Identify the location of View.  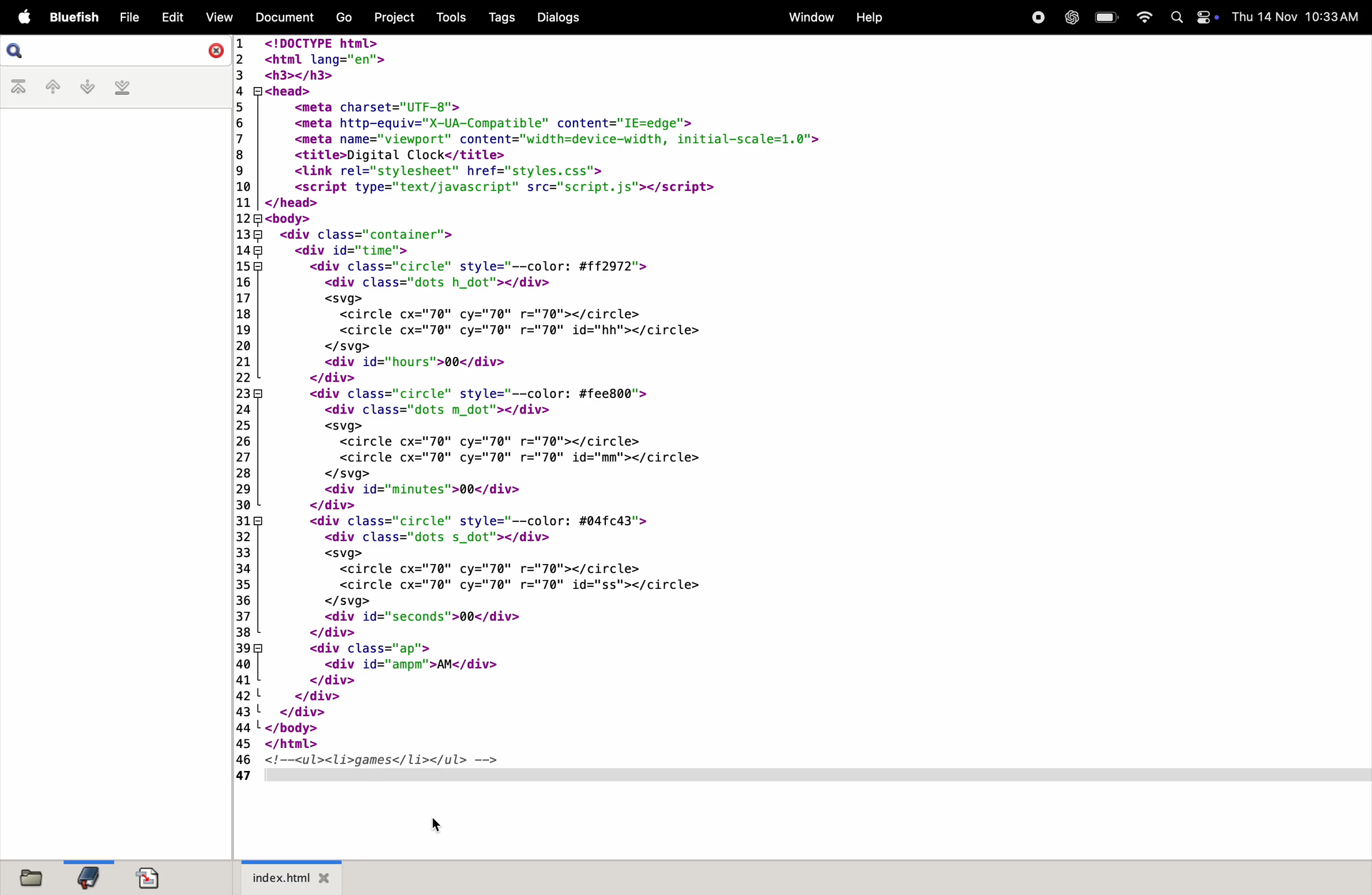
(219, 17).